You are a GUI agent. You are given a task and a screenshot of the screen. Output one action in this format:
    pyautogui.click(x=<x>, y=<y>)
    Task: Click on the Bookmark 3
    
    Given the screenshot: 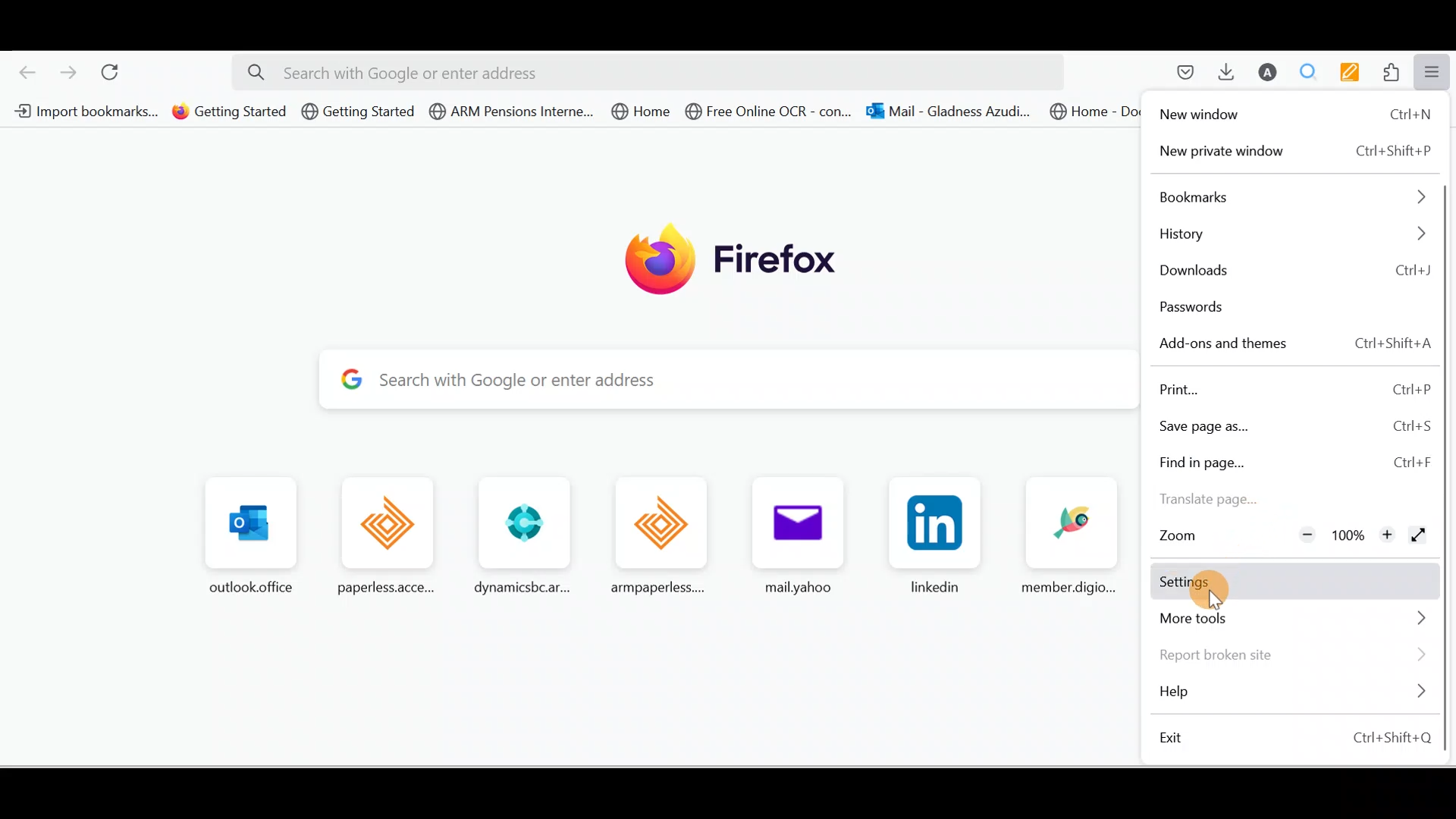 What is the action you would take?
    pyautogui.click(x=359, y=112)
    